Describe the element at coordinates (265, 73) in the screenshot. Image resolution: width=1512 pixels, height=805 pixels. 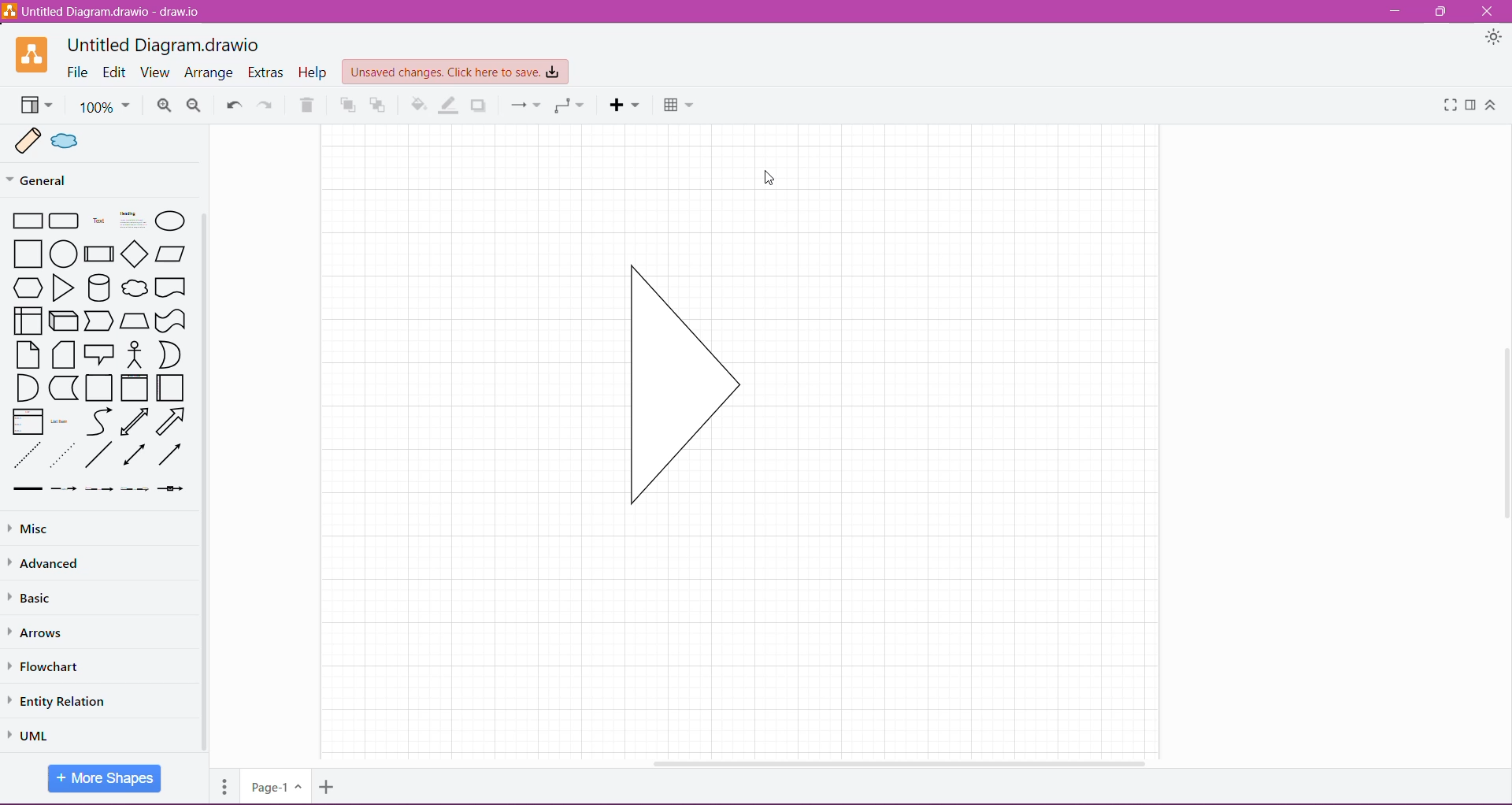
I see `Extras` at that location.